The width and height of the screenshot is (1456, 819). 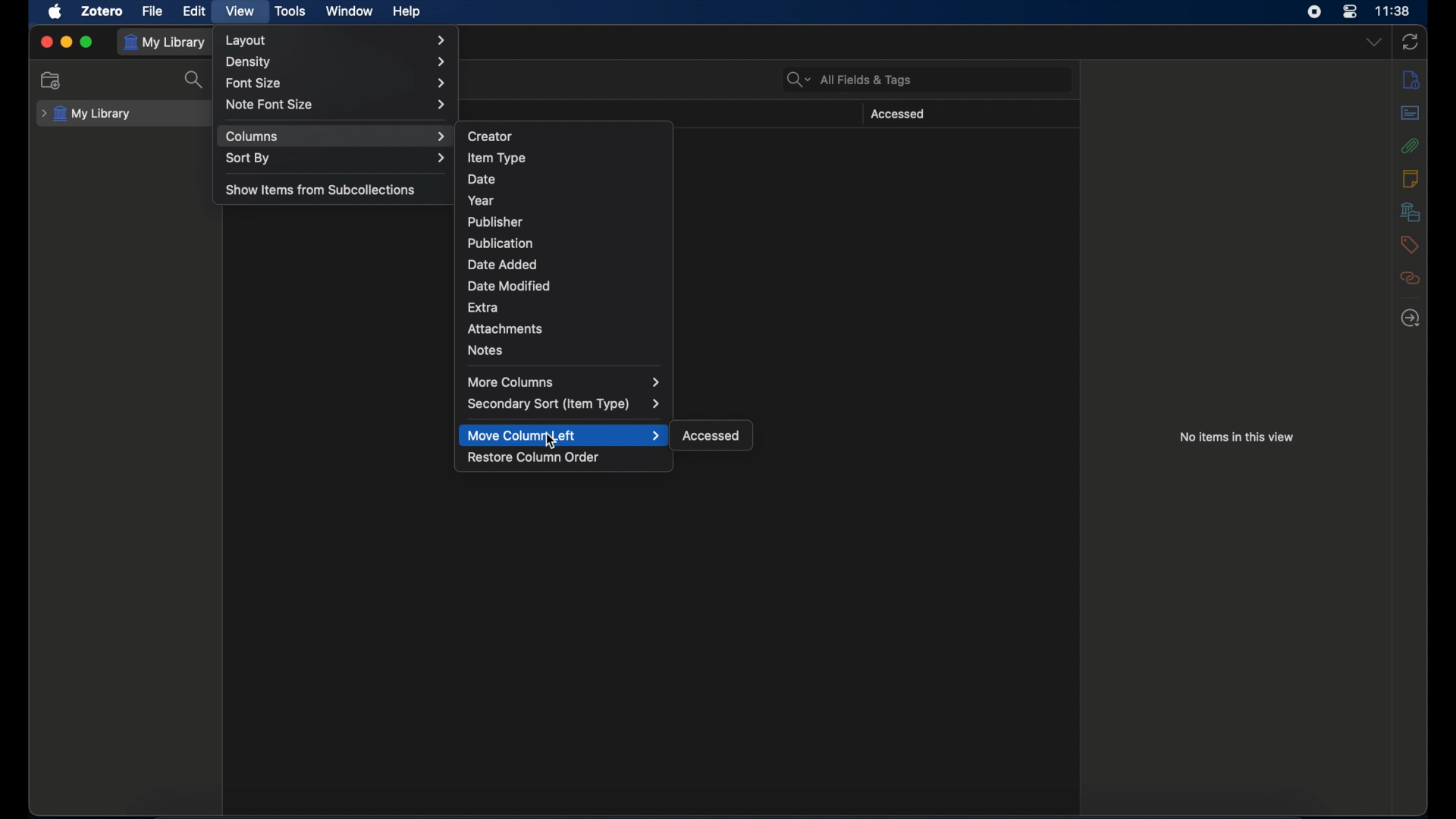 I want to click on date added, so click(x=502, y=265).